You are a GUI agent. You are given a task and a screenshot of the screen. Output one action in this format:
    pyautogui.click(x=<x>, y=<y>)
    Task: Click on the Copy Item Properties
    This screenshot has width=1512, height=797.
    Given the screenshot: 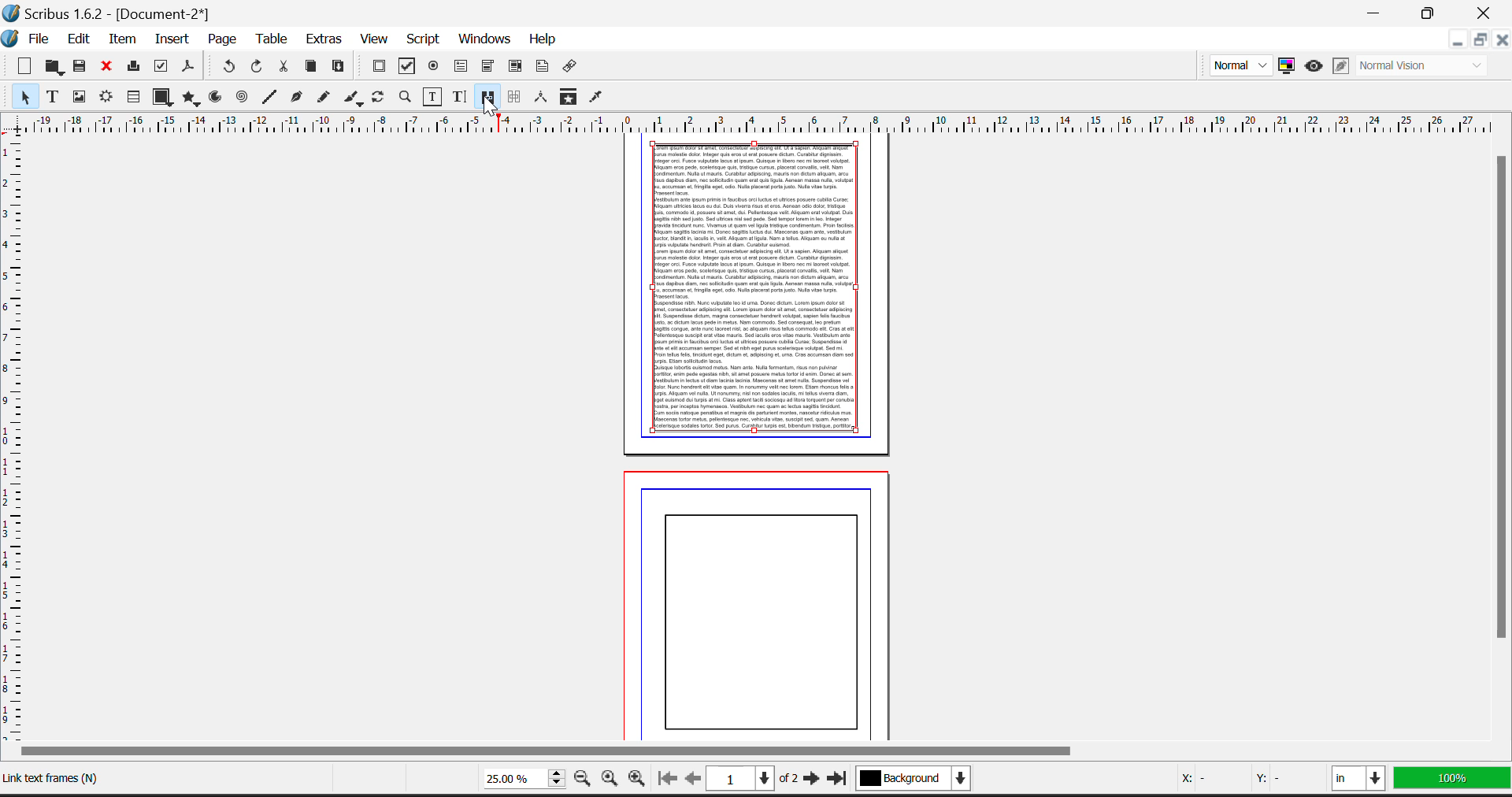 What is the action you would take?
    pyautogui.click(x=568, y=98)
    